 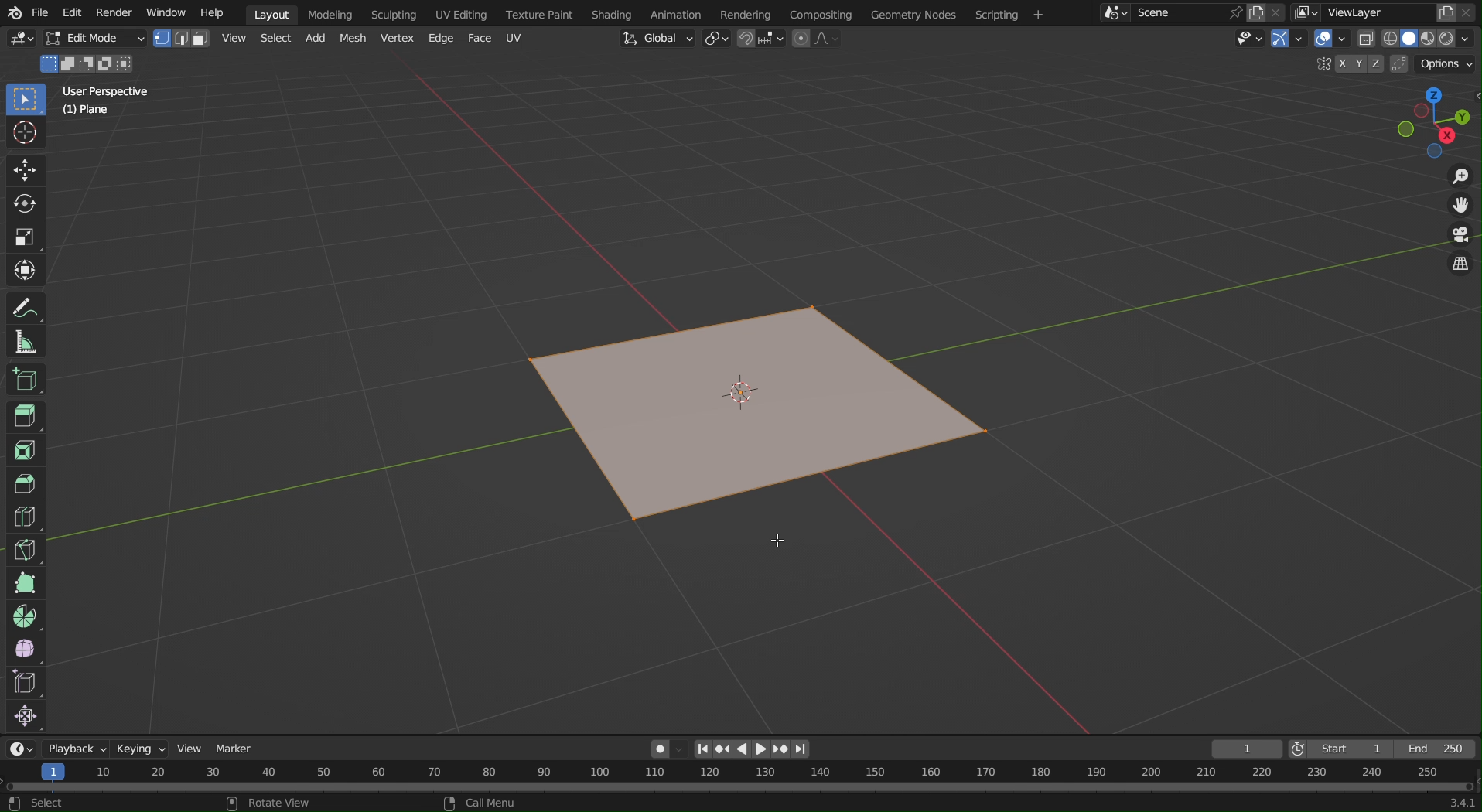 What do you see at coordinates (22, 749) in the screenshot?
I see `Editor Type` at bounding box center [22, 749].